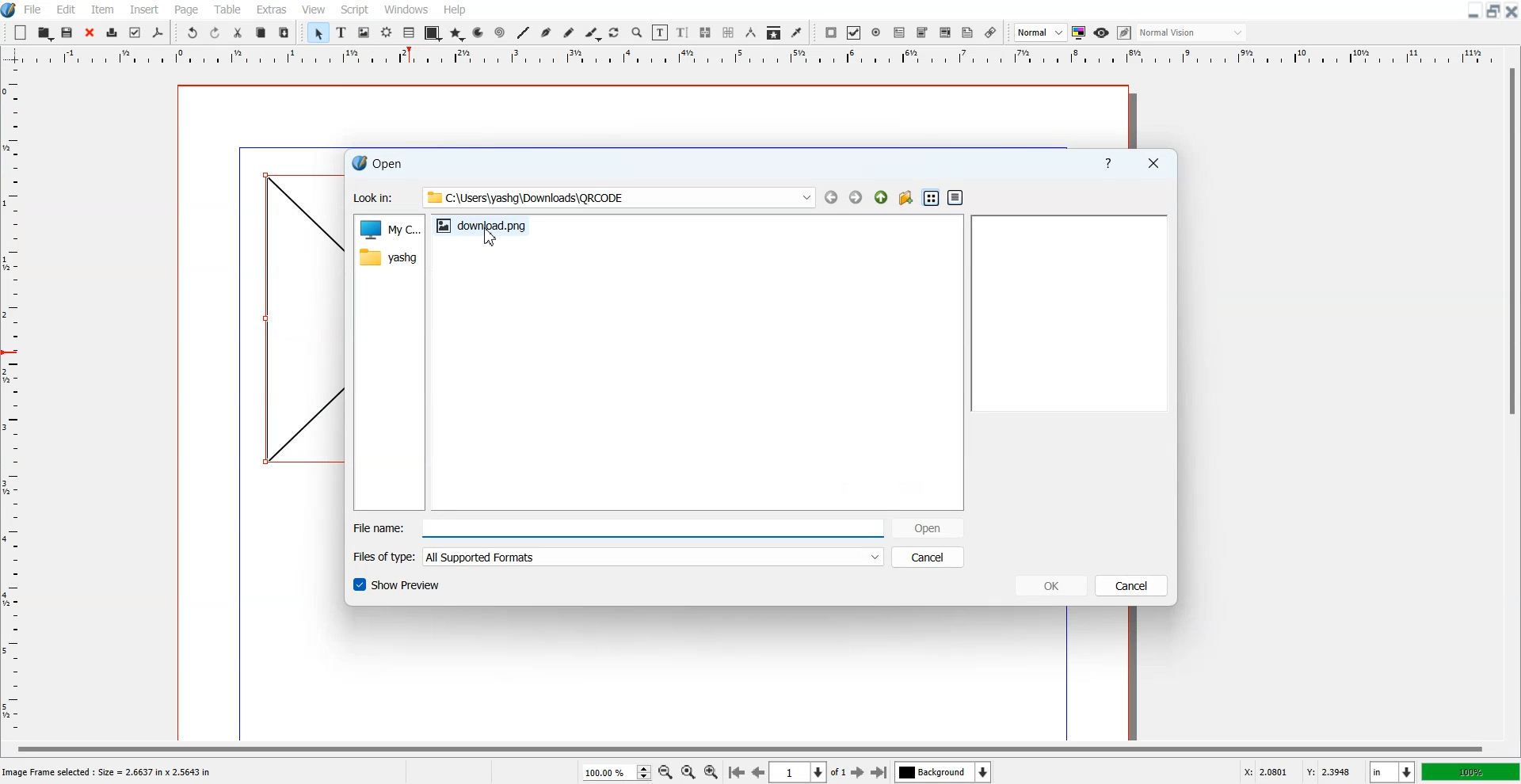 This screenshot has height=784, width=1521. What do you see at coordinates (615, 33) in the screenshot?
I see `Rotate Item` at bounding box center [615, 33].